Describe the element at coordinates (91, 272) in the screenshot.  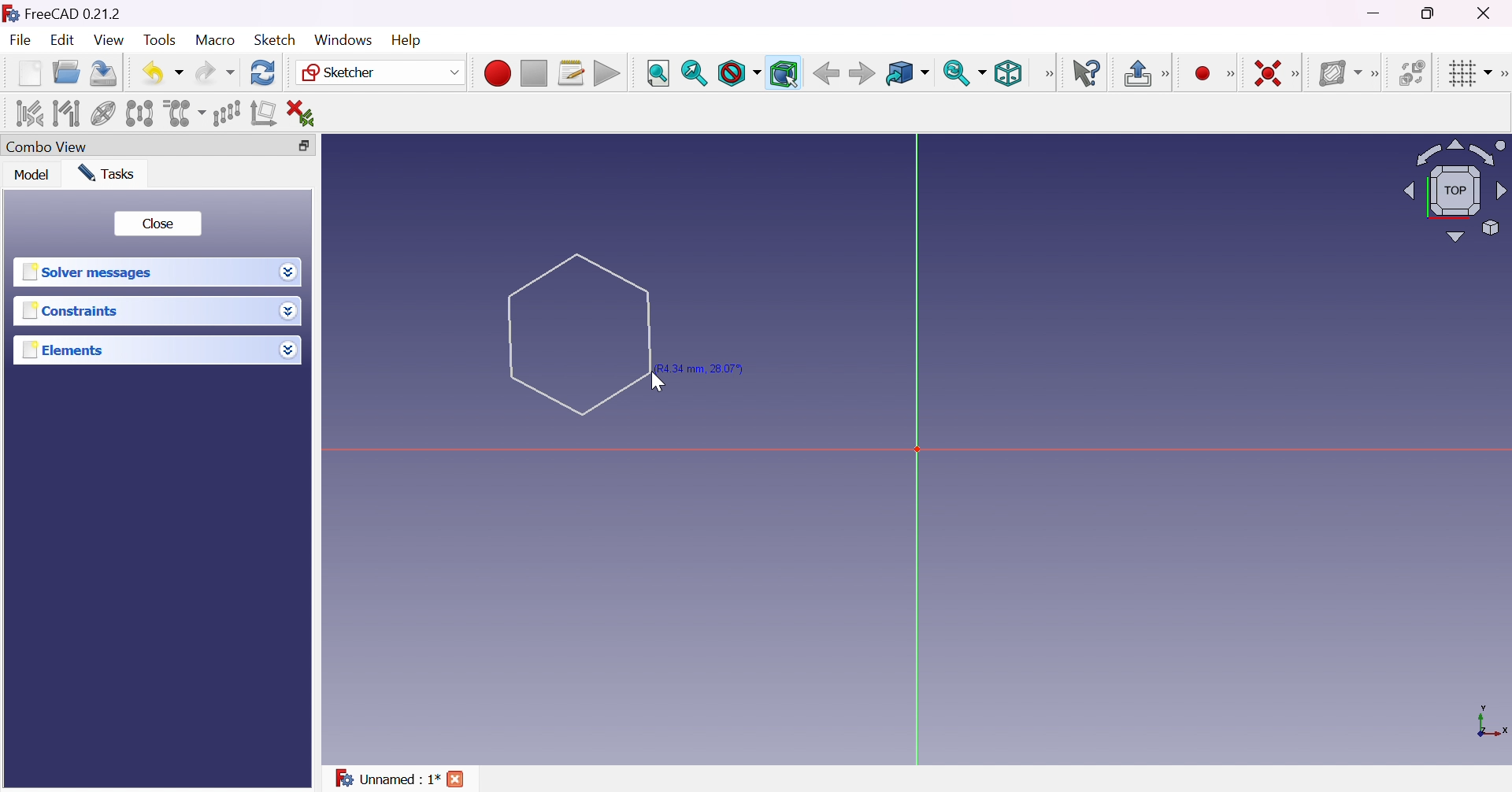
I see `Solver messsages` at that location.